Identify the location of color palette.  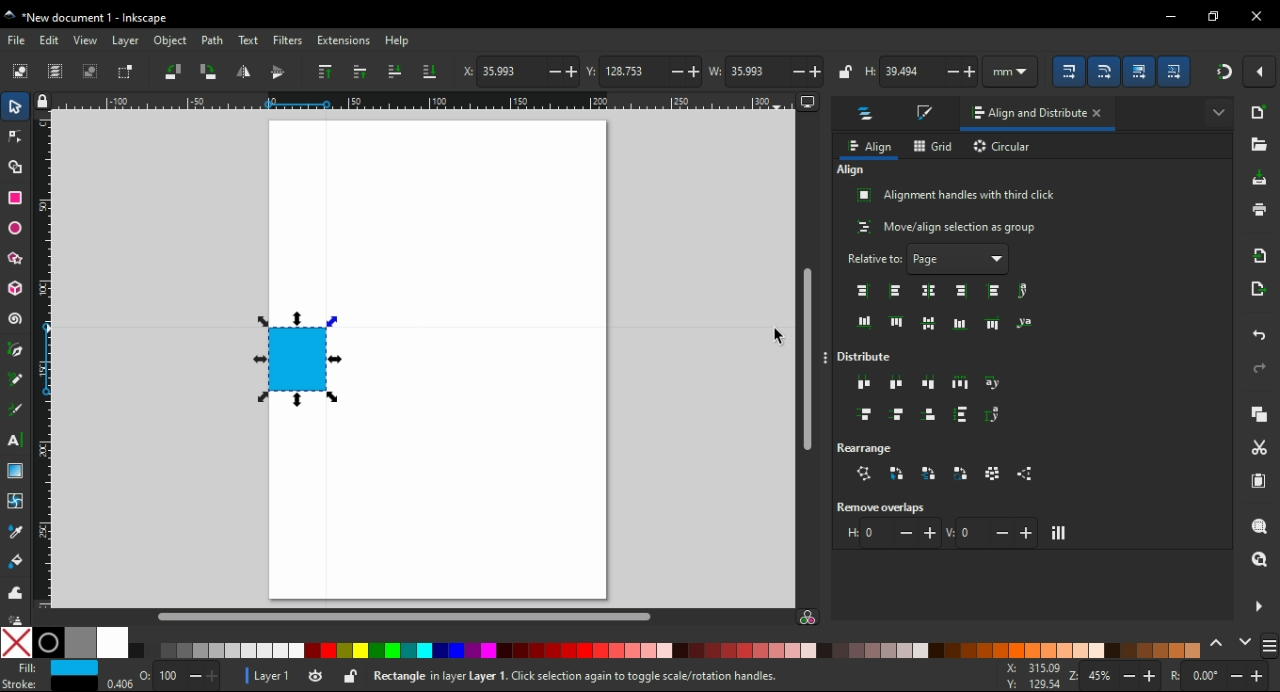
(667, 650).